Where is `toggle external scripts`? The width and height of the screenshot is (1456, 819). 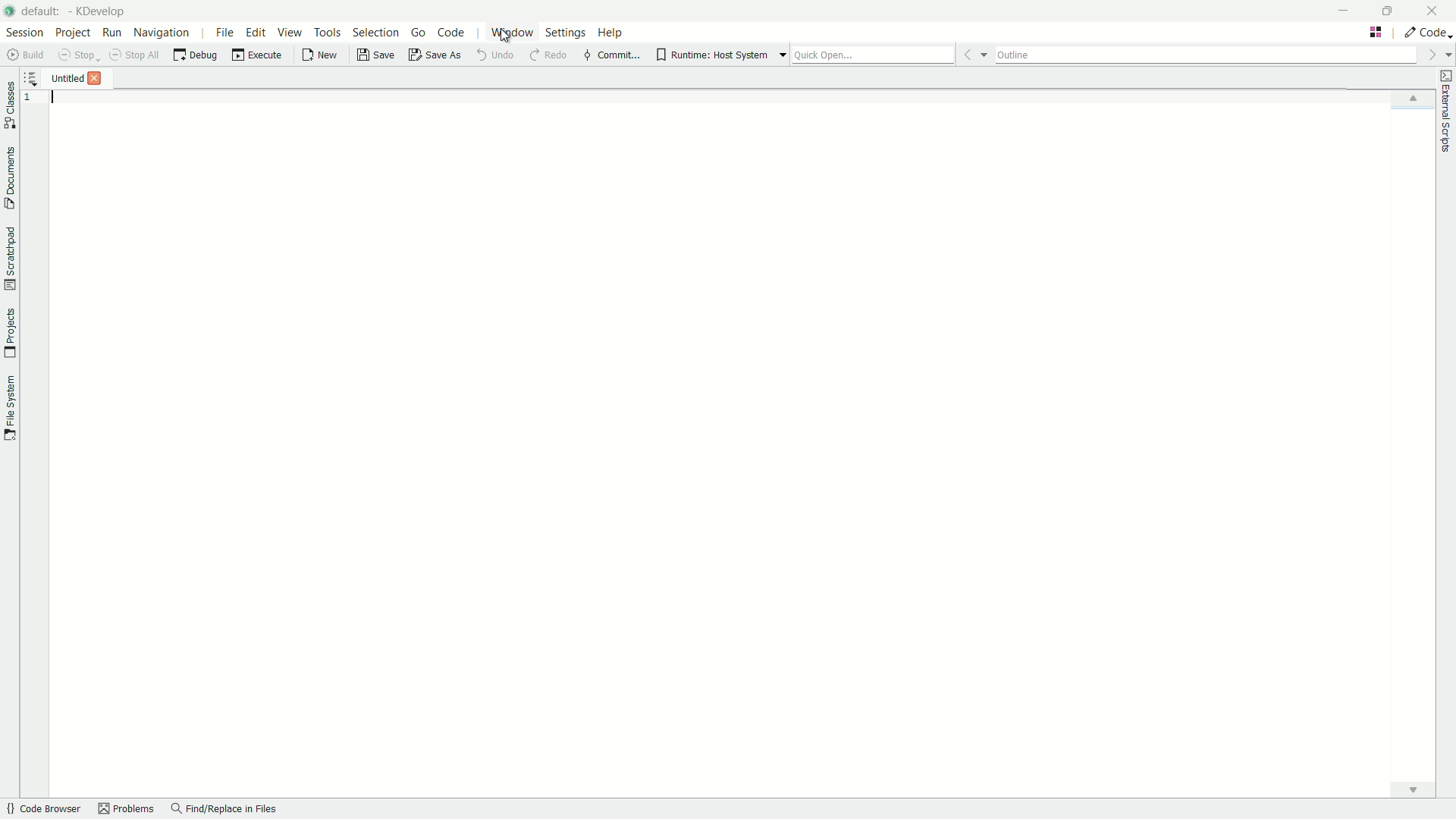 toggle external scripts is located at coordinates (1447, 110).